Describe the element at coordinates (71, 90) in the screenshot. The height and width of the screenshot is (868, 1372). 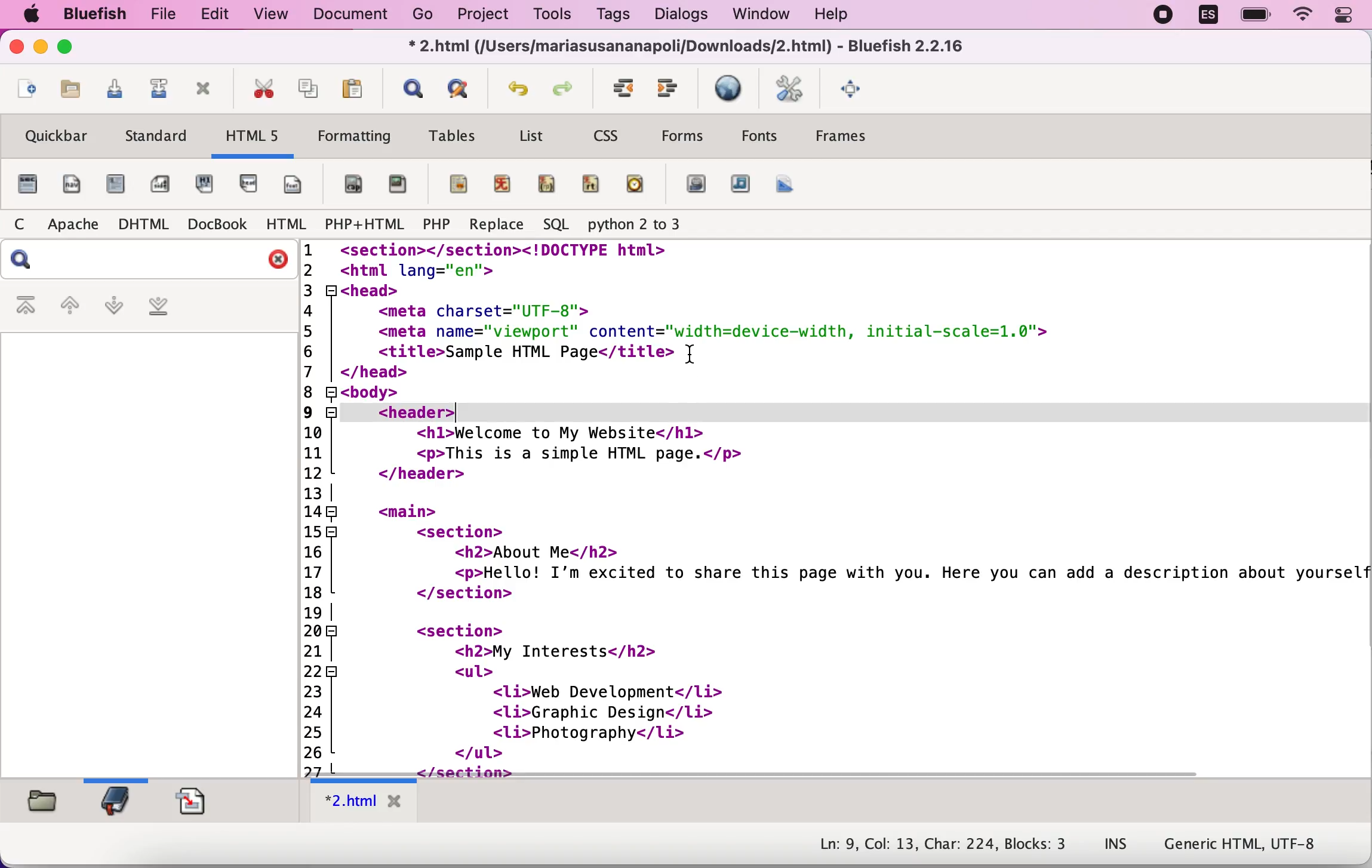
I see `open file` at that location.